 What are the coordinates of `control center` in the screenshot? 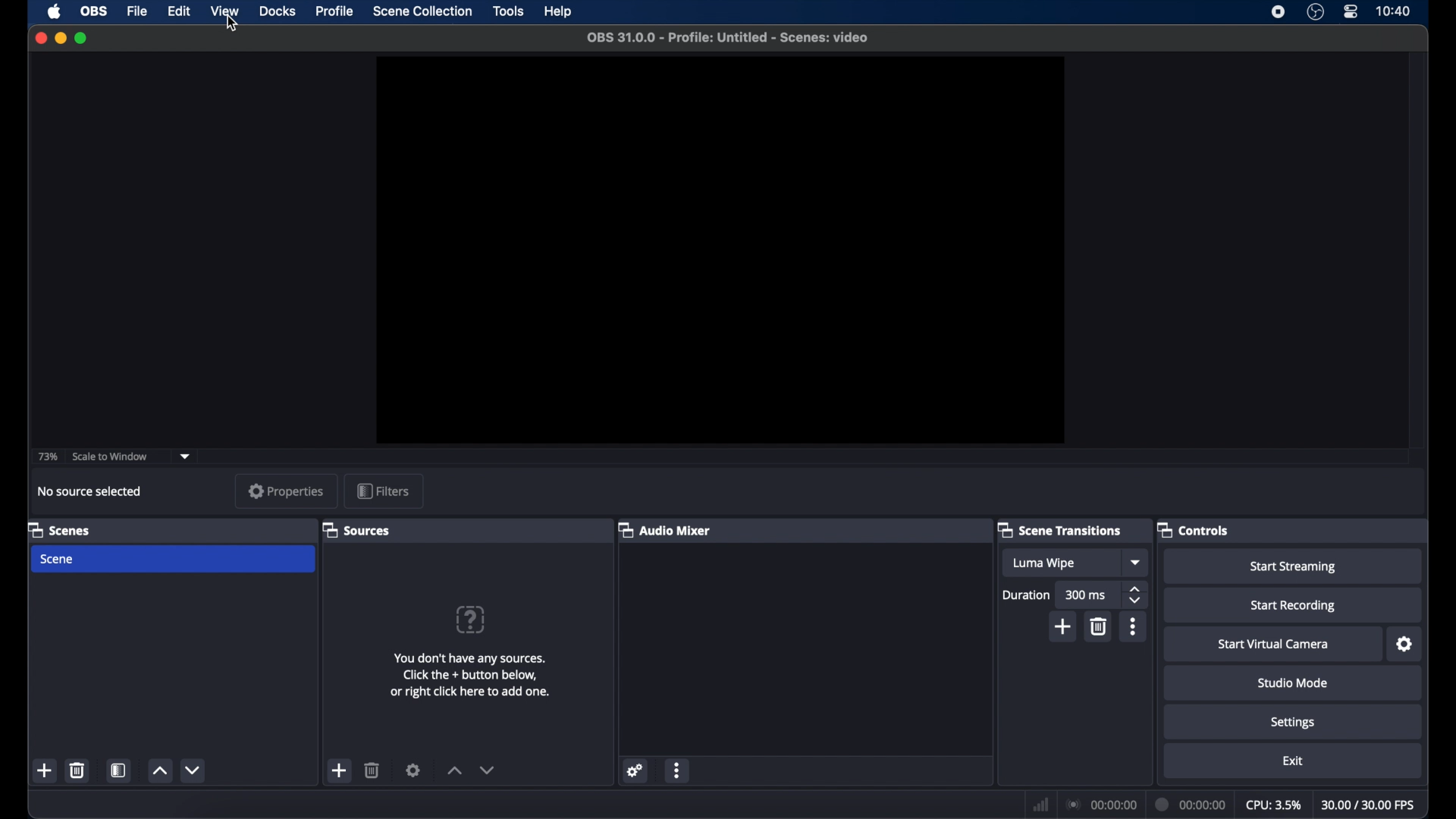 It's located at (1351, 12).